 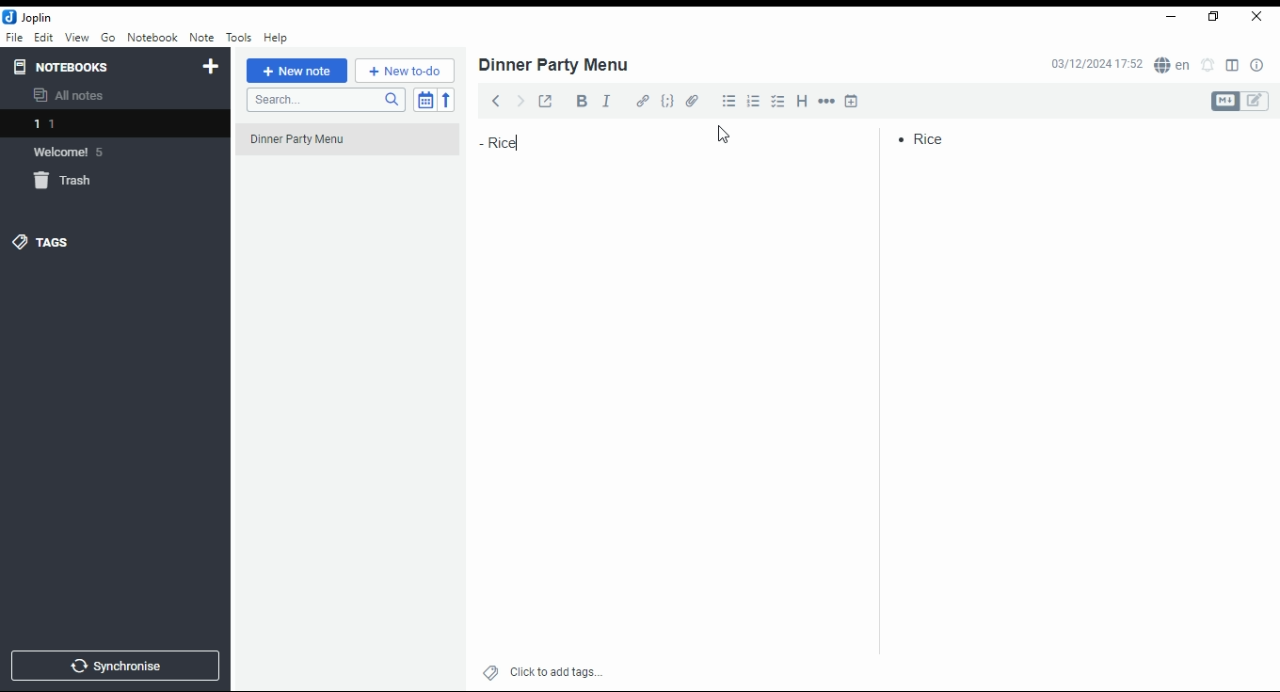 I want to click on 1, so click(x=111, y=123).